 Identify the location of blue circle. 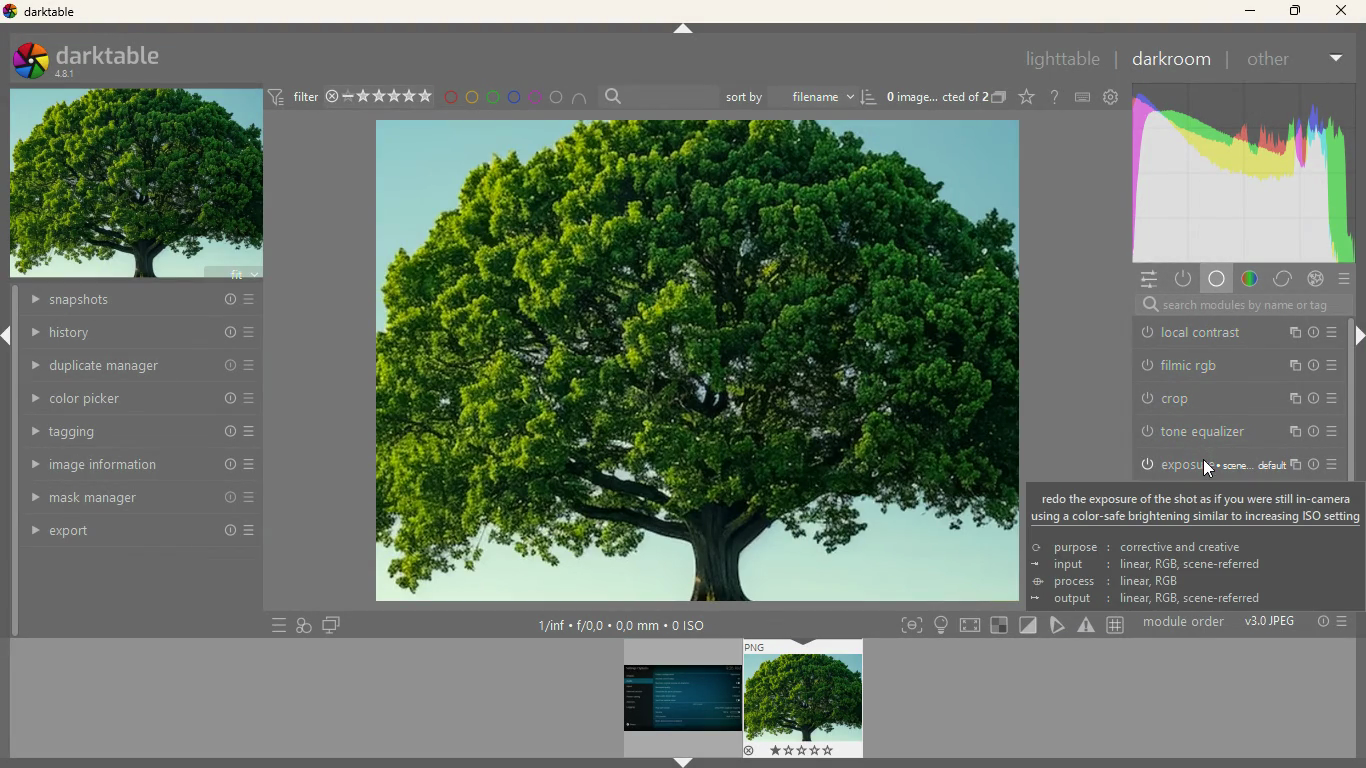
(513, 96).